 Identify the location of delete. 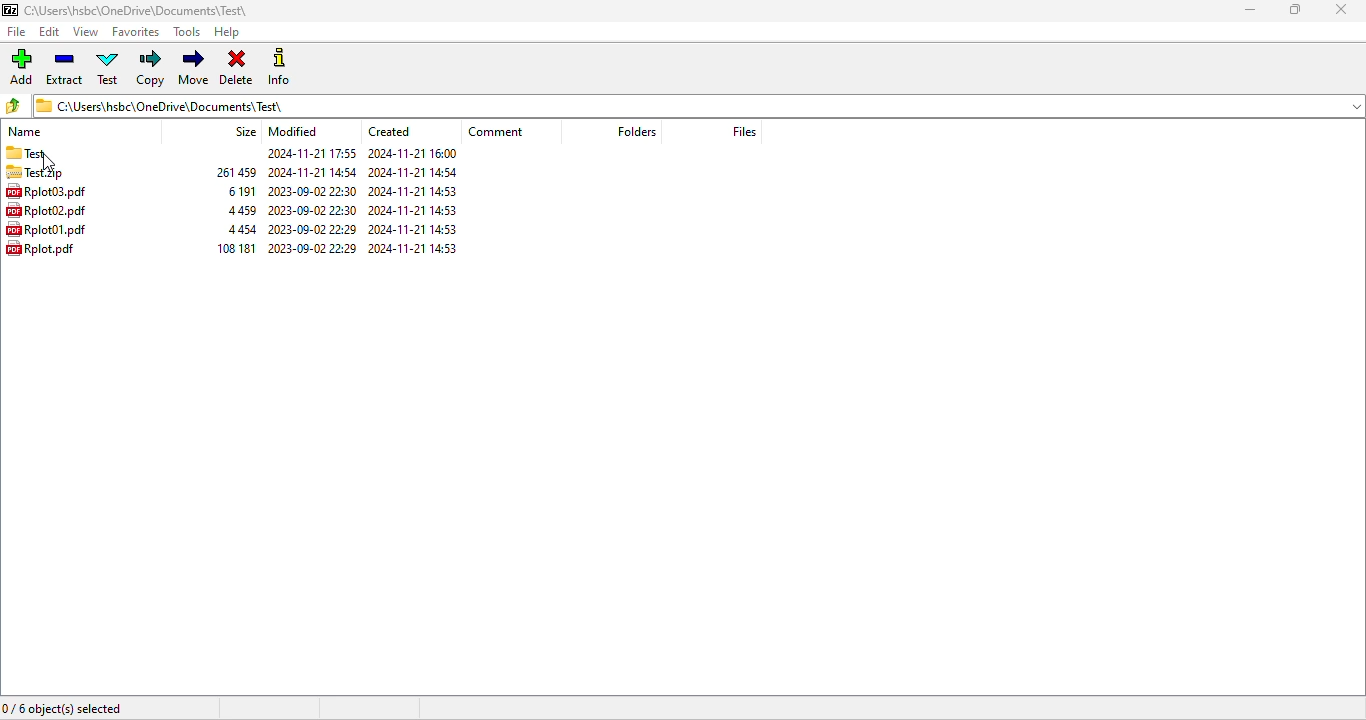
(236, 67).